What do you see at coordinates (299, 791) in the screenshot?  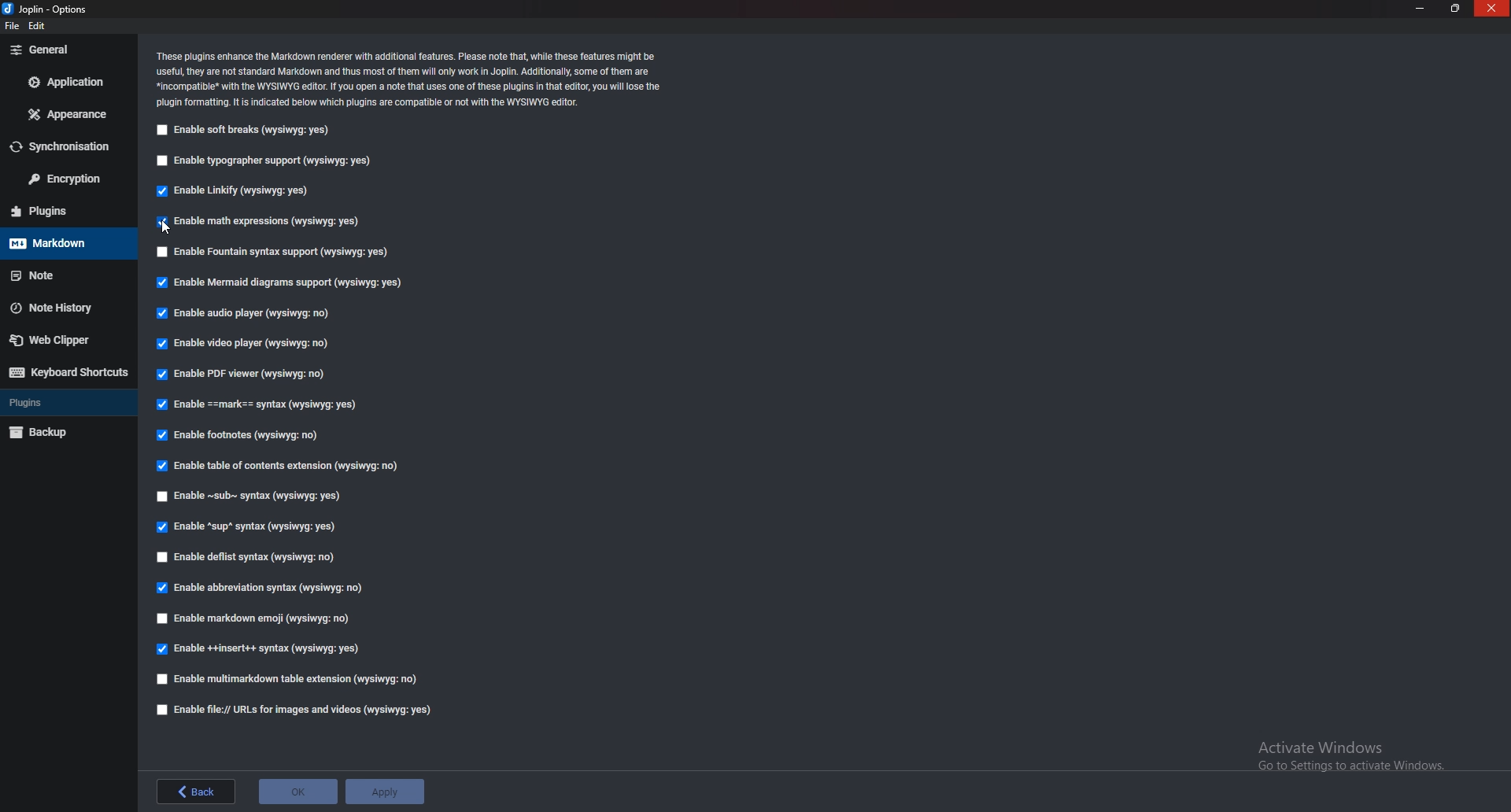 I see `ok` at bounding box center [299, 791].